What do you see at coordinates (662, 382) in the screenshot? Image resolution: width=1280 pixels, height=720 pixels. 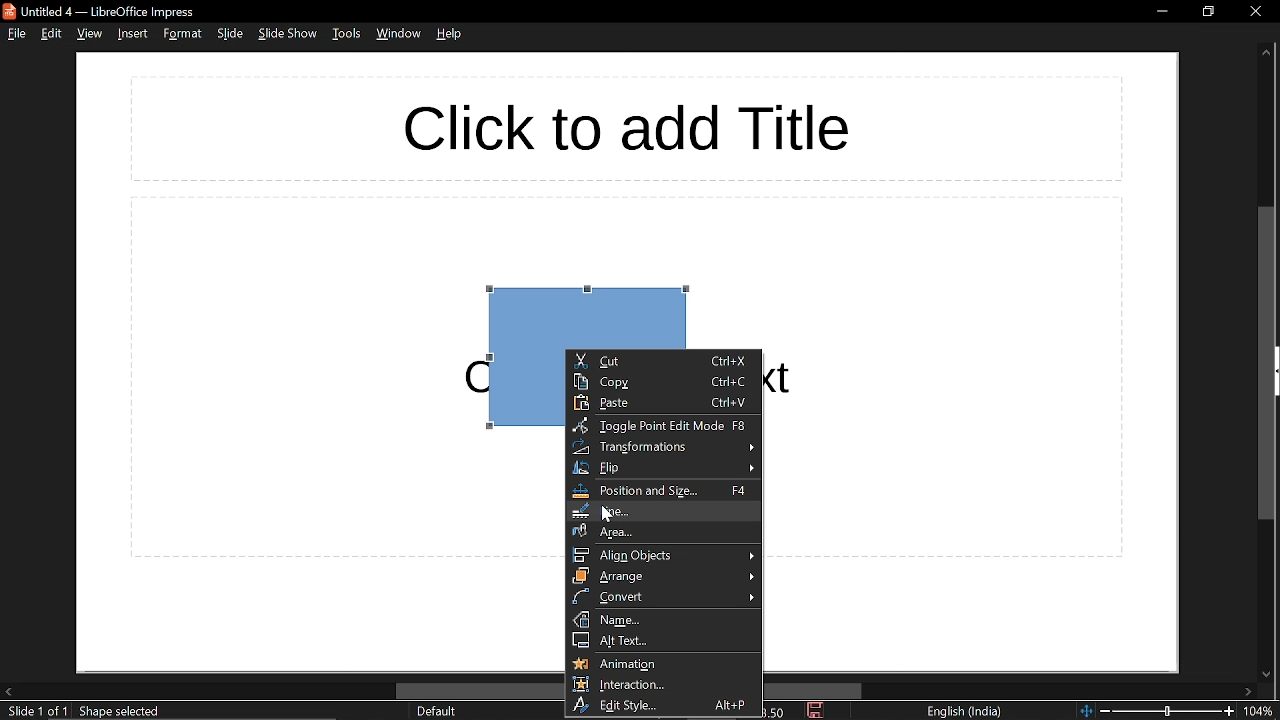 I see `copy` at bounding box center [662, 382].